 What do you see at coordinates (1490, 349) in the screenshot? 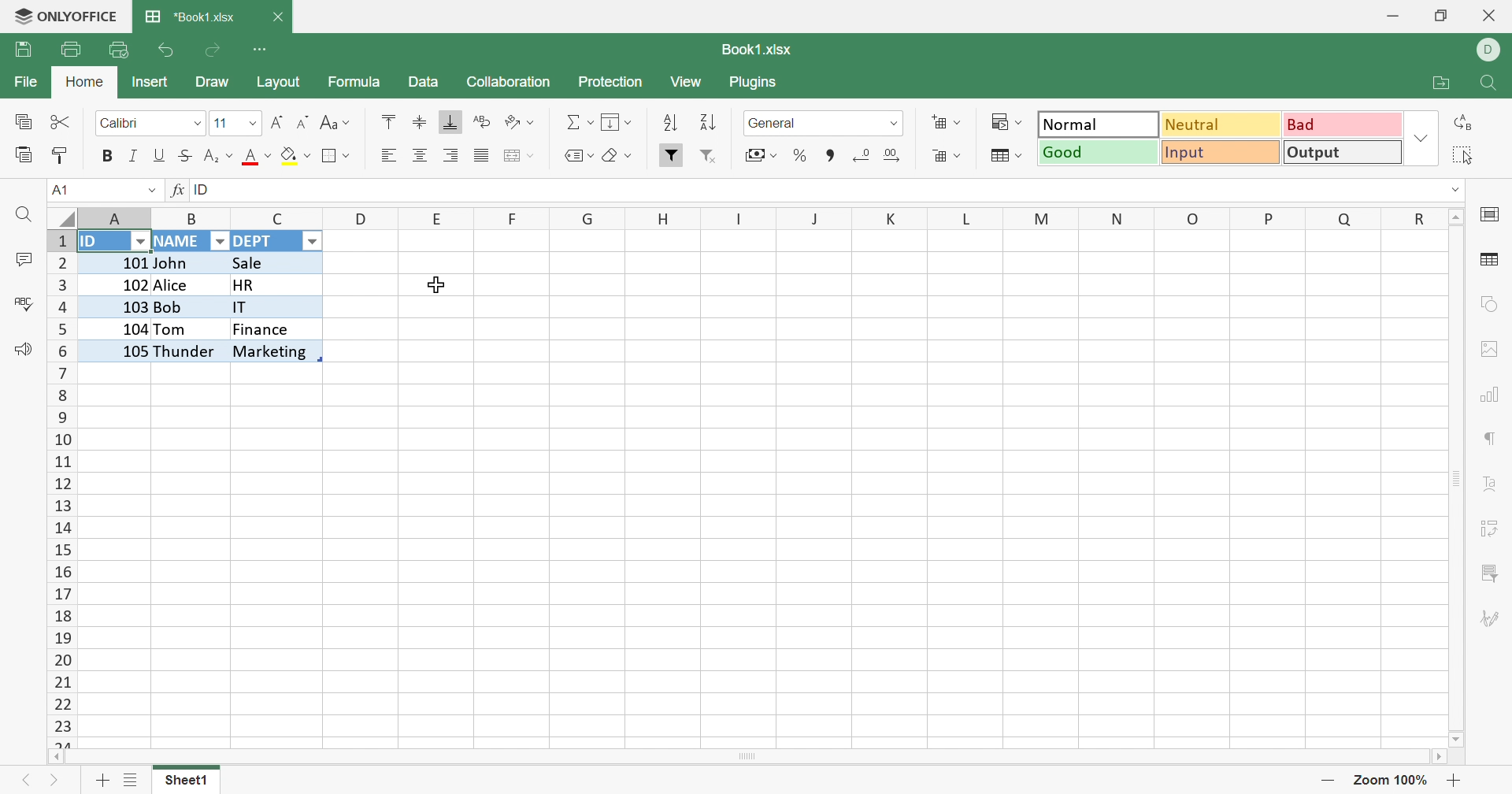
I see `image settings` at bounding box center [1490, 349].